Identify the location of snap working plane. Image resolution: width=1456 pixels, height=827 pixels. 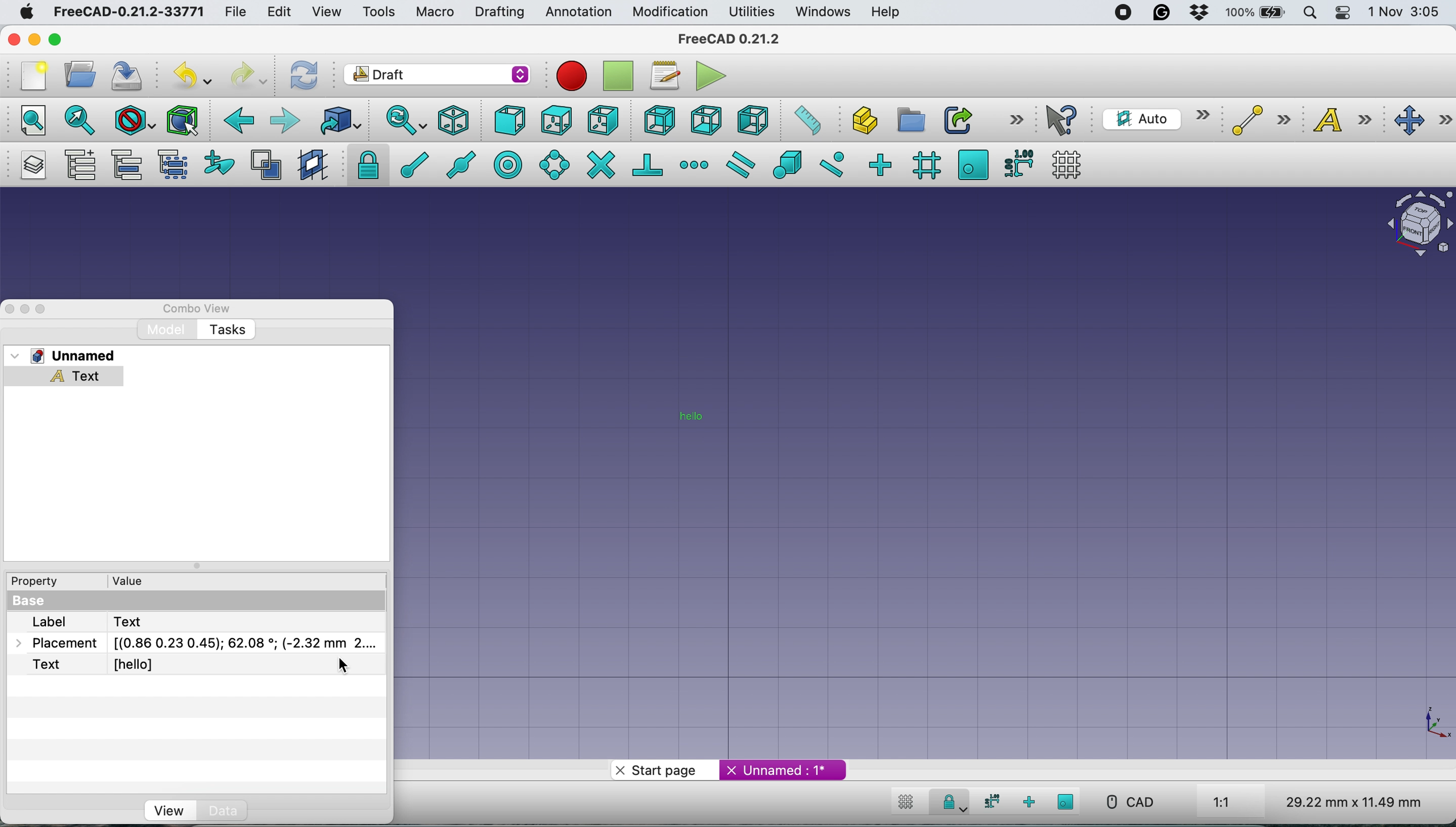
(970, 164).